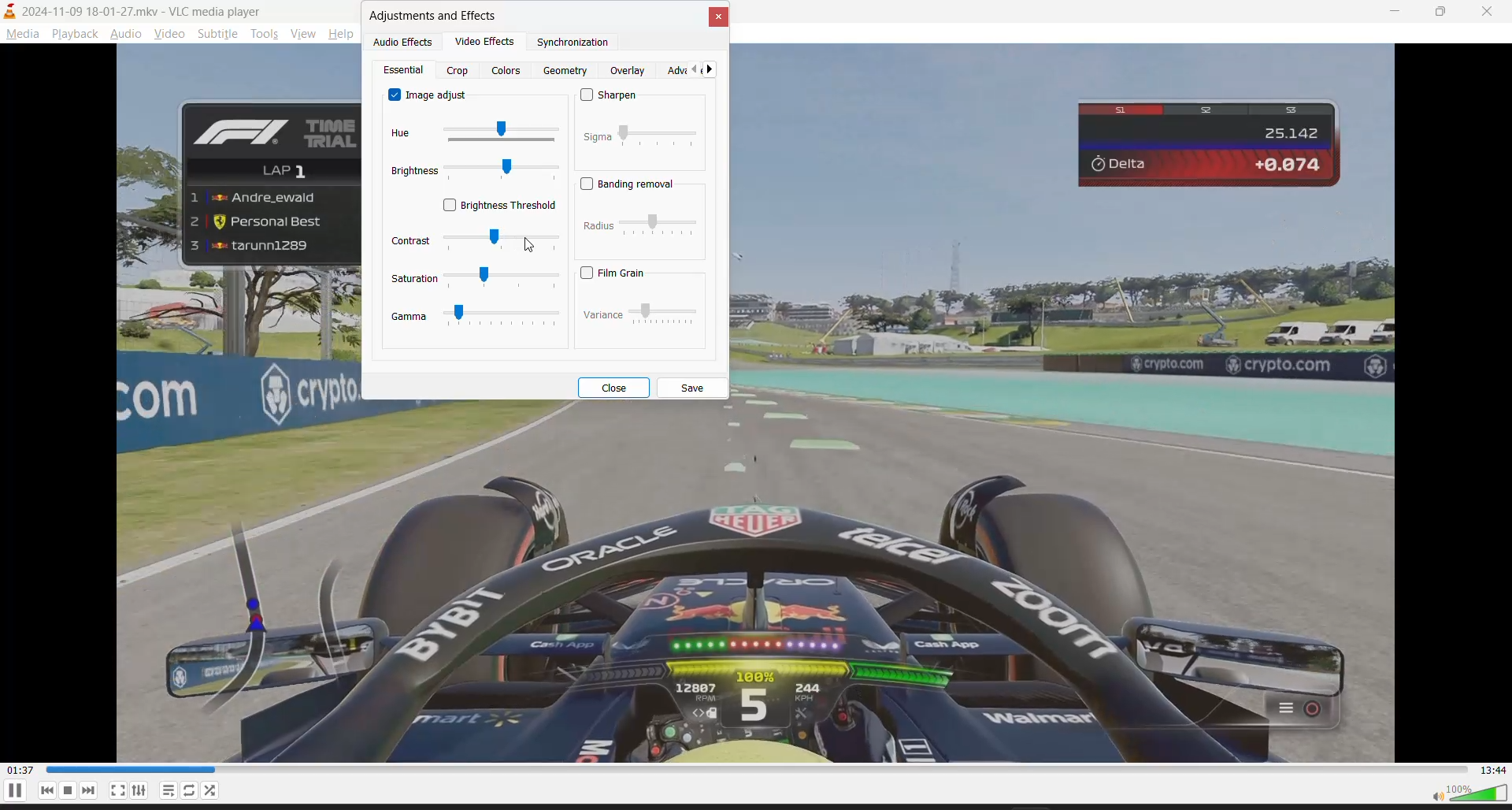 This screenshot has height=810, width=1512. What do you see at coordinates (639, 140) in the screenshot?
I see `sigma` at bounding box center [639, 140].